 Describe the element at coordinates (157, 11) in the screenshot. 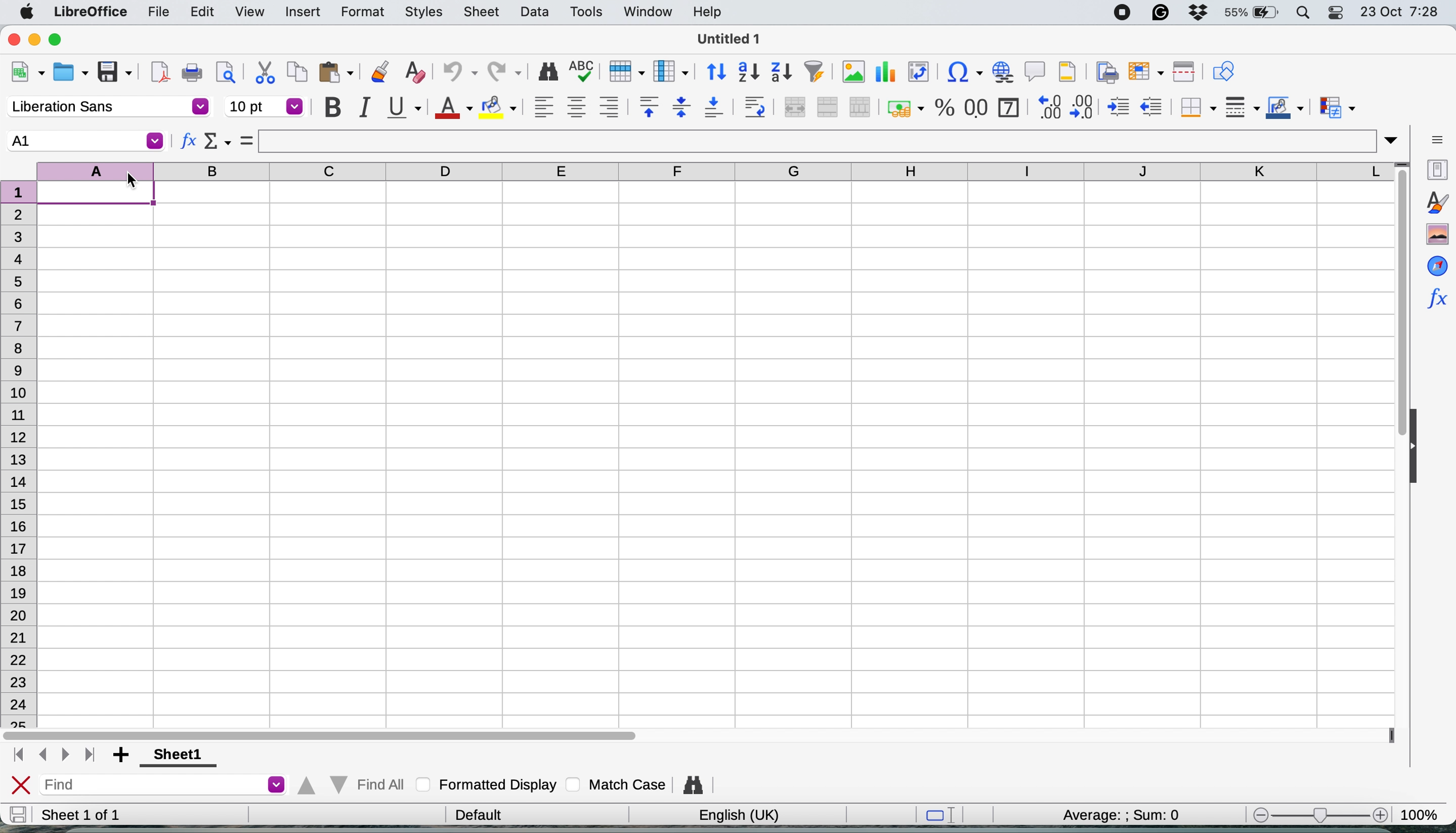

I see `file` at that location.